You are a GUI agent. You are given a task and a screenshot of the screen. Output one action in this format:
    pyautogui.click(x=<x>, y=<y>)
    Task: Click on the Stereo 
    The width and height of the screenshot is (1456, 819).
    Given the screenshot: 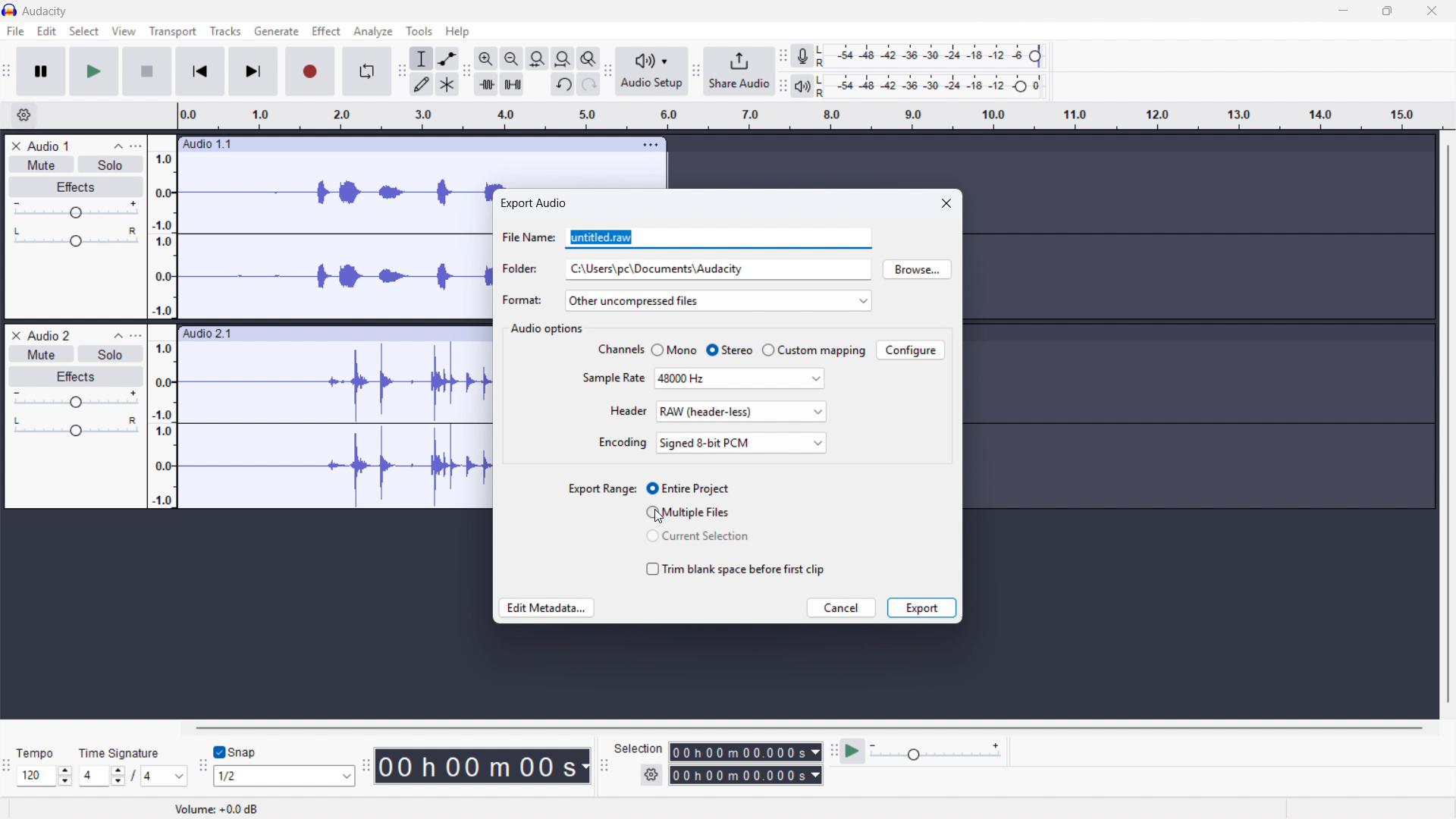 What is the action you would take?
    pyautogui.click(x=730, y=350)
    